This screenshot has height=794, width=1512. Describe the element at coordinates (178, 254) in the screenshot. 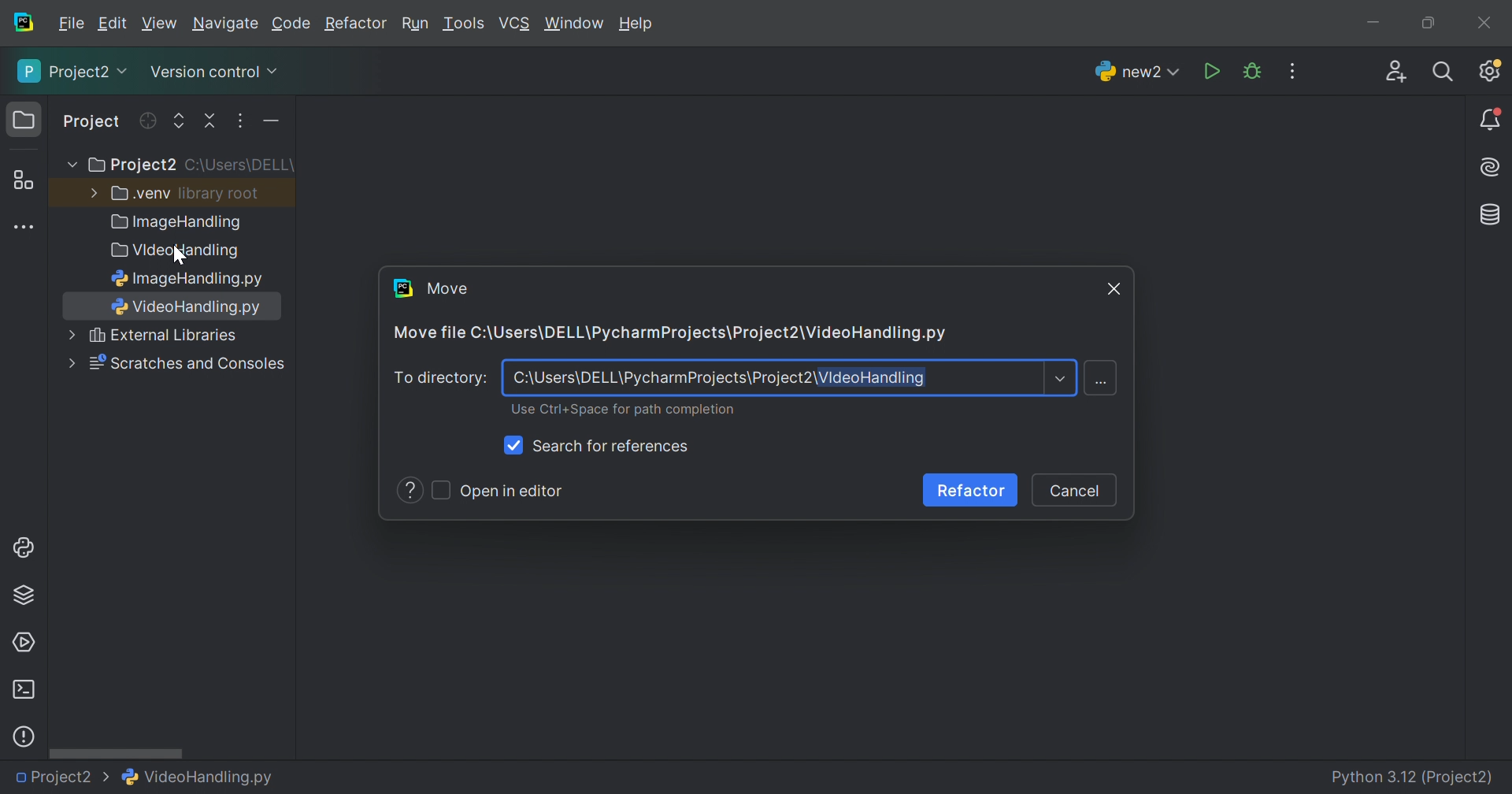

I see `cursor` at that location.